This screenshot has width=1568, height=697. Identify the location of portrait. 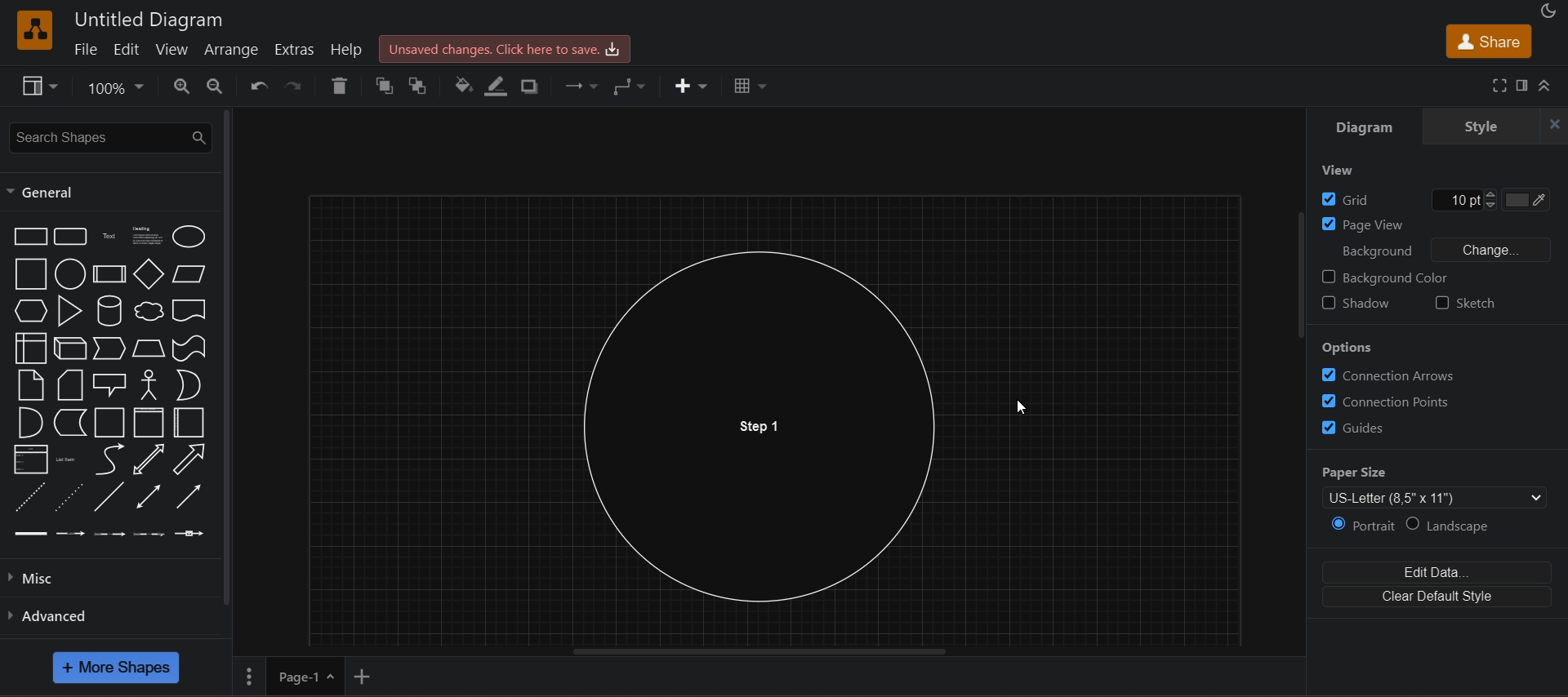
(1359, 528).